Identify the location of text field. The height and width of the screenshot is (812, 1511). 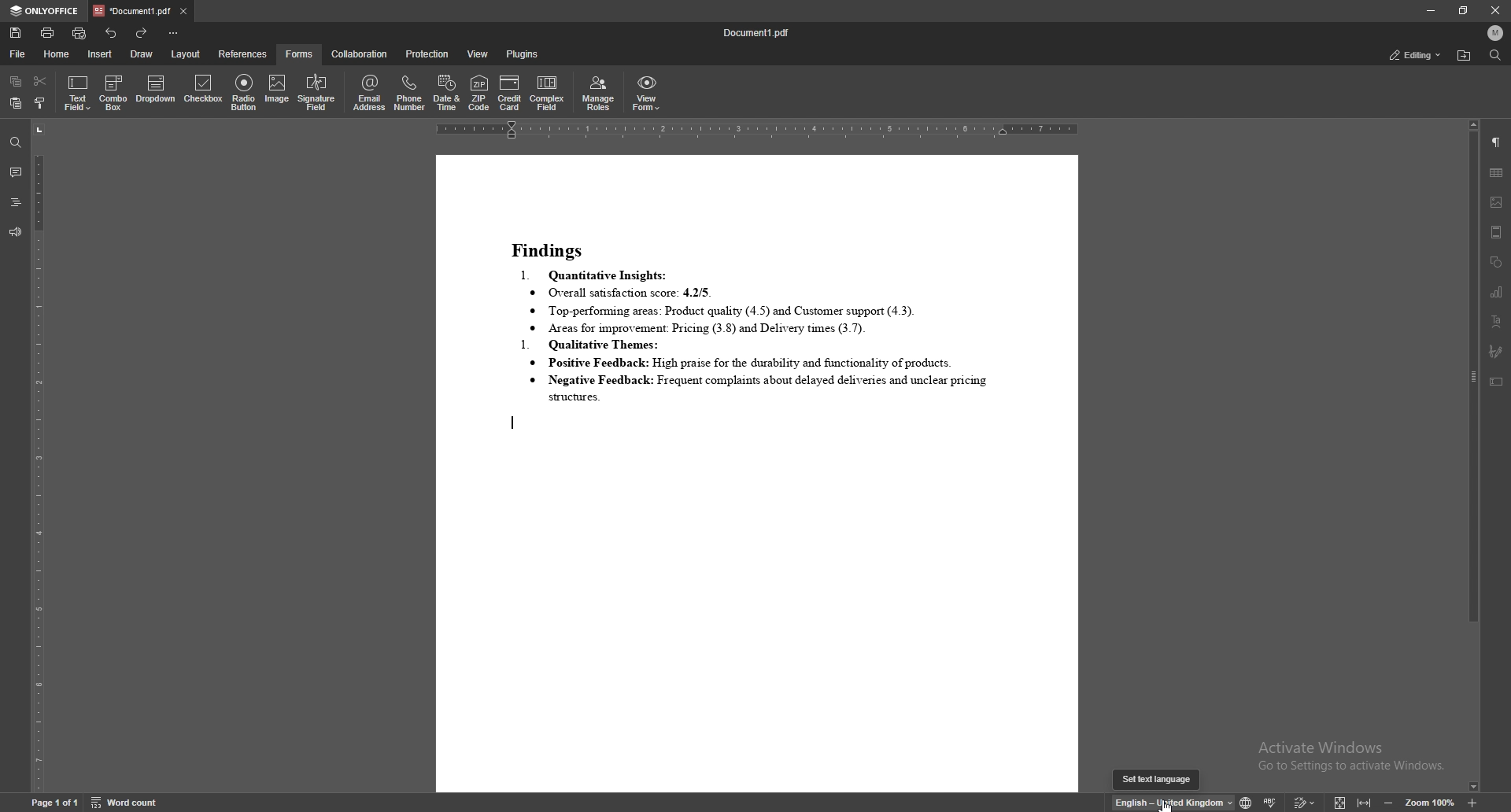
(78, 93).